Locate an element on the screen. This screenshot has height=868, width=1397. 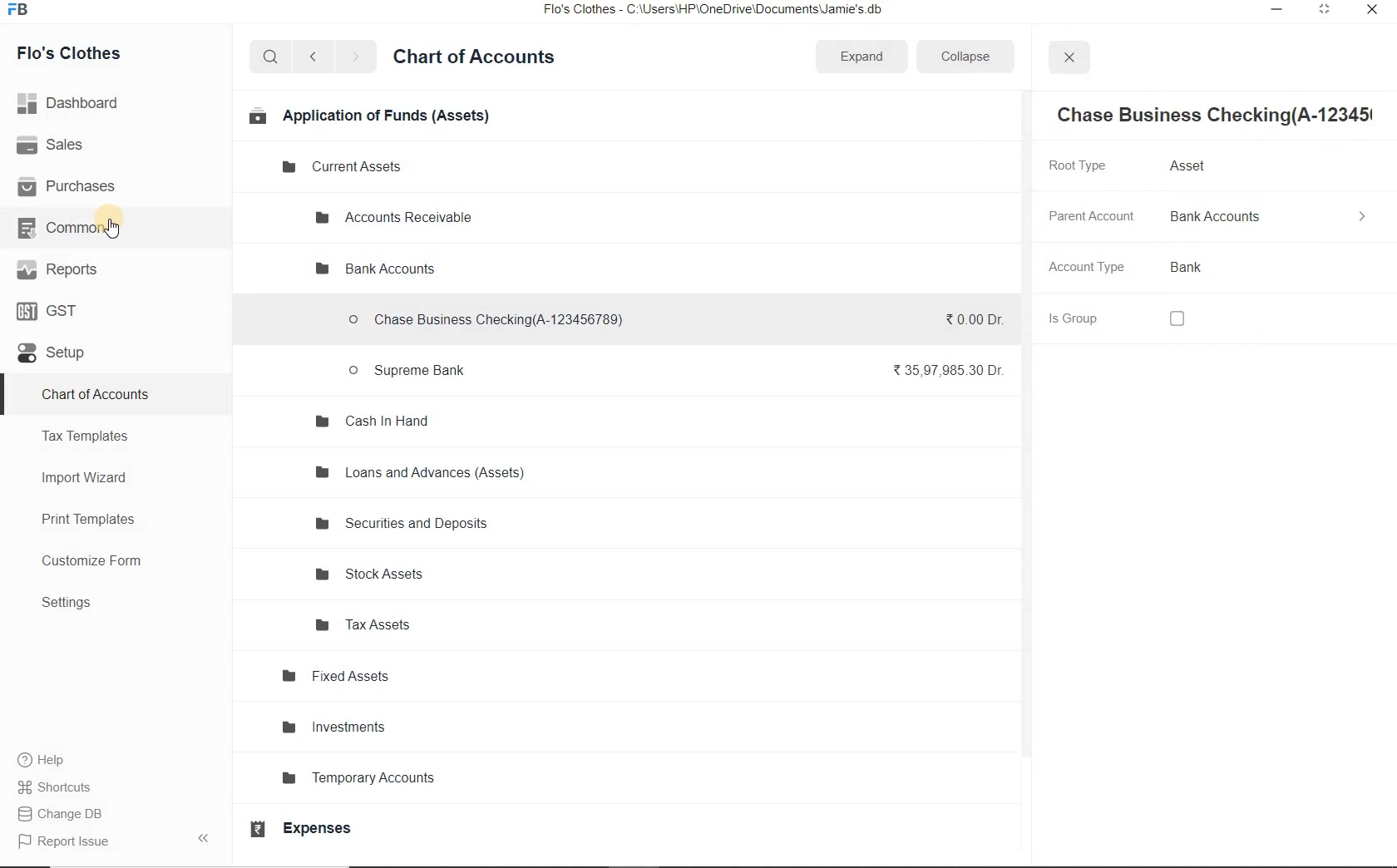
Temporary Accounts is located at coordinates (404, 782).